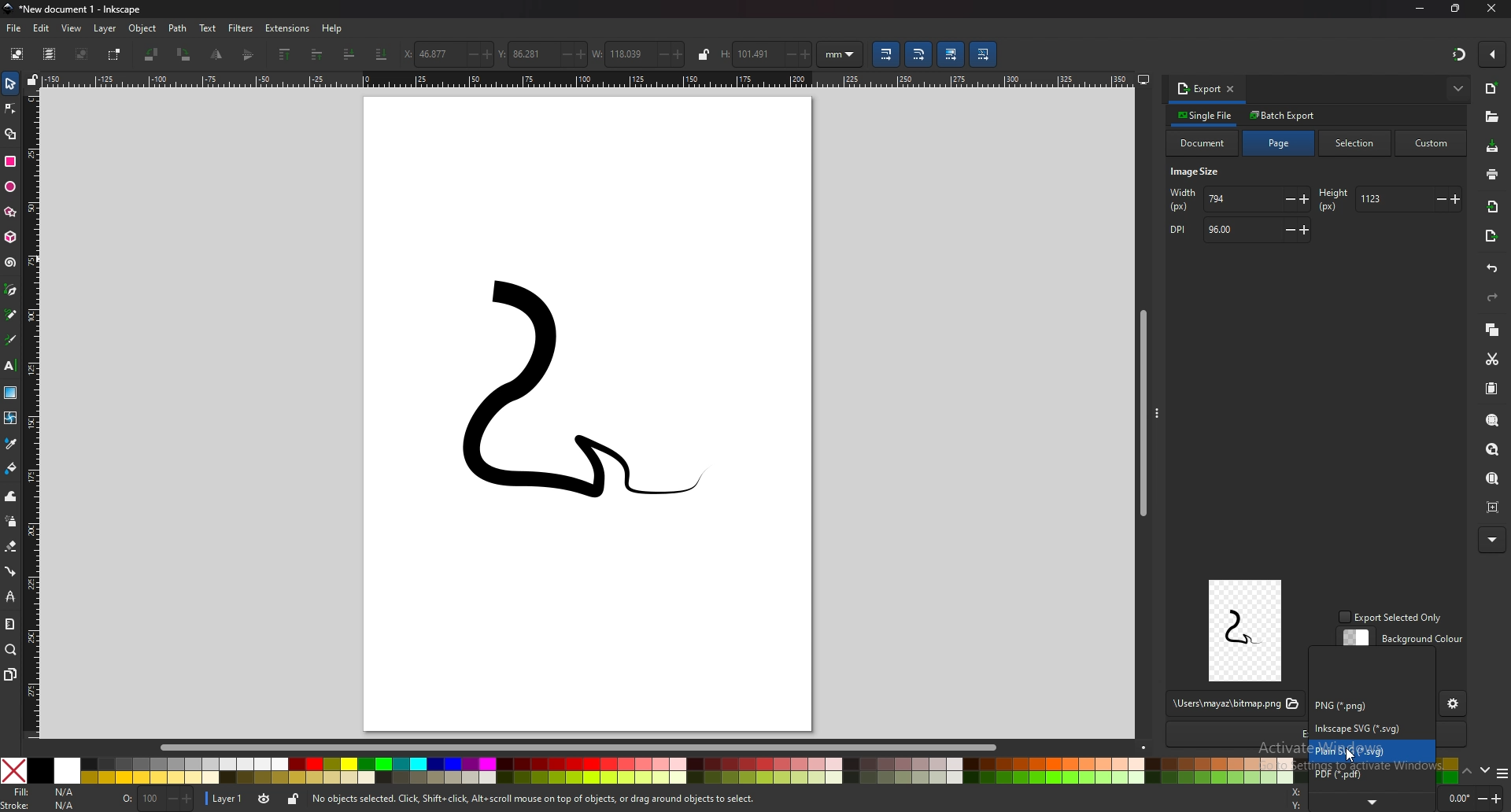  I want to click on more, so click(1373, 803).